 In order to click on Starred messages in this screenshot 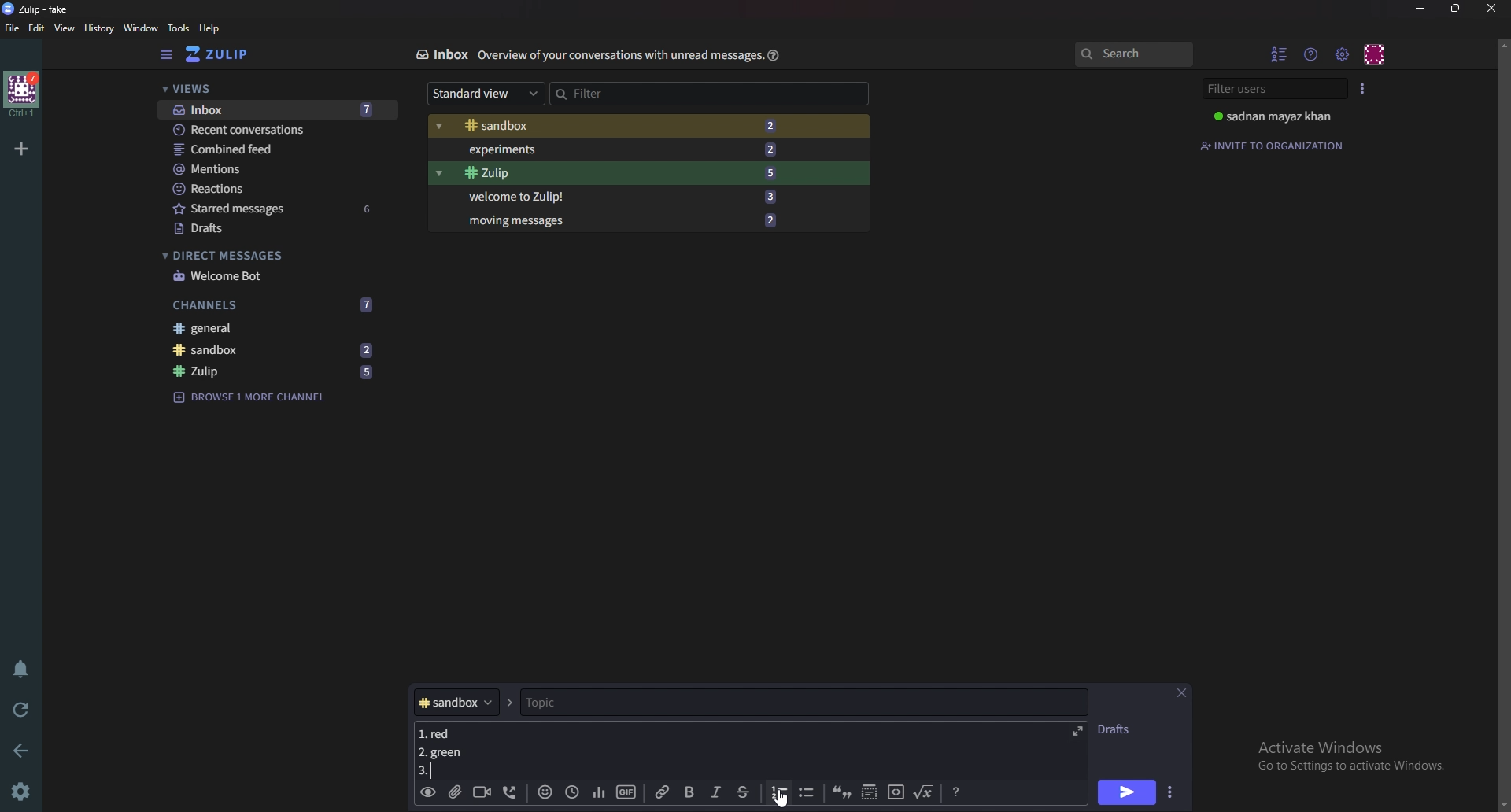, I will do `click(275, 209)`.